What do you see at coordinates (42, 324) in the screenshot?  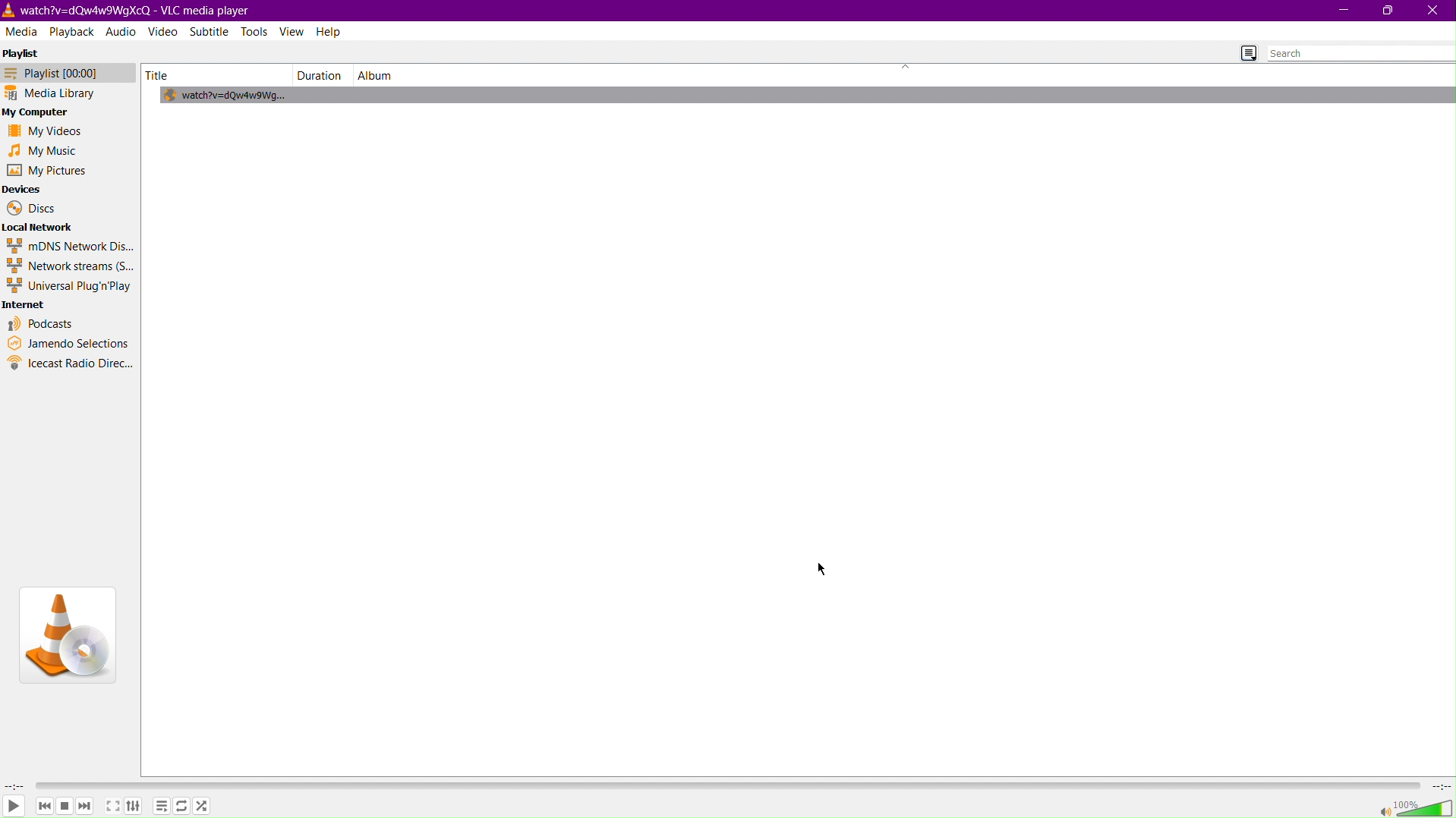 I see `Podcasts` at bounding box center [42, 324].